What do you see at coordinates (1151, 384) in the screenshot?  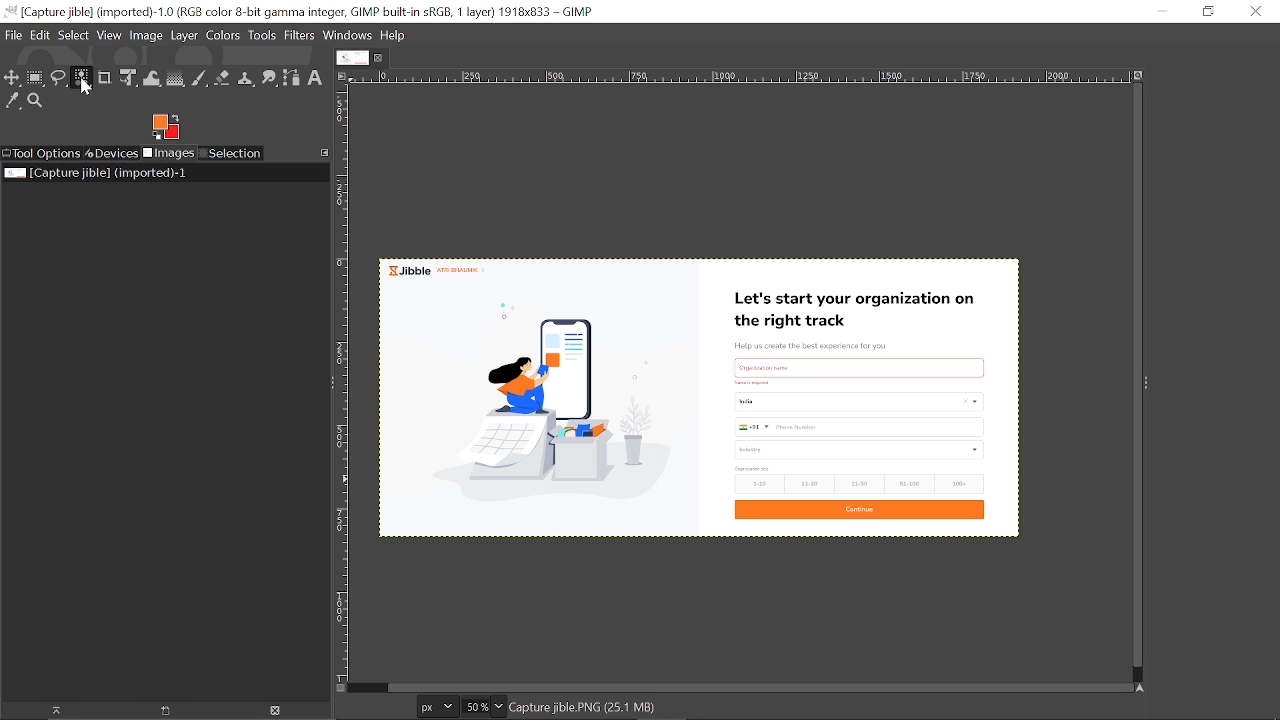 I see `Sidebar menu` at bounding box center [1151, 384].